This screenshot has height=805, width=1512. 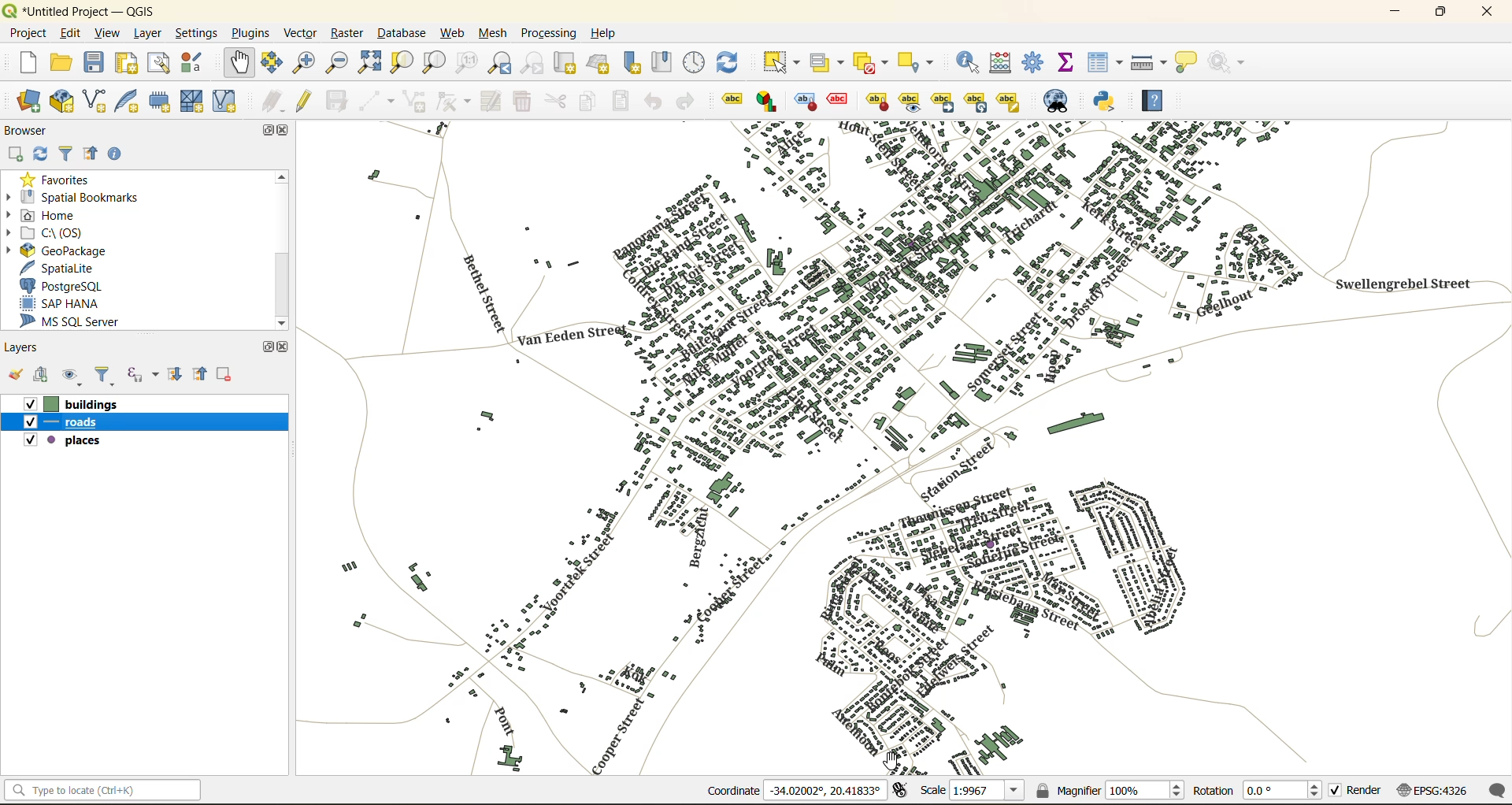 What do you see at coordinates (369, 64) in the screenshot?
I see `zoom full` at bounding box center [369, 64].